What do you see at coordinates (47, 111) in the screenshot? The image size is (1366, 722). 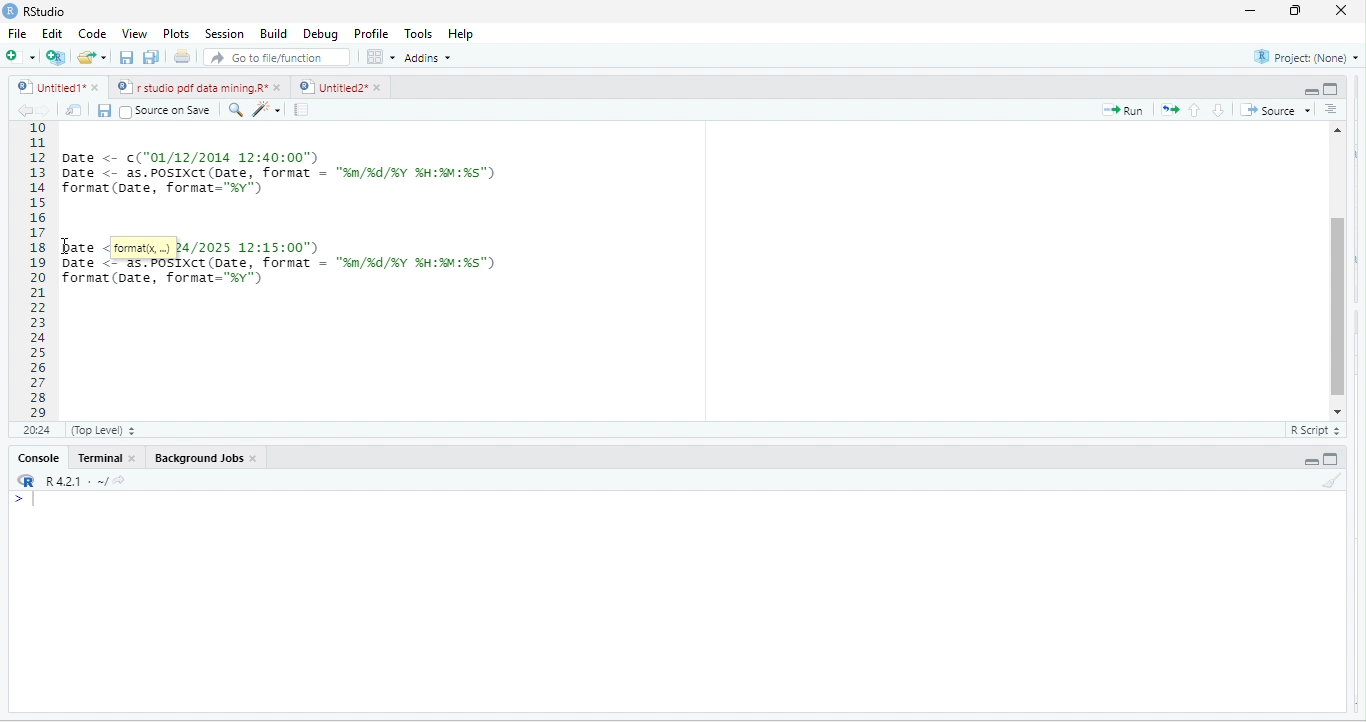 I see `go forward to the next source location` at bounding box center [47, 111].